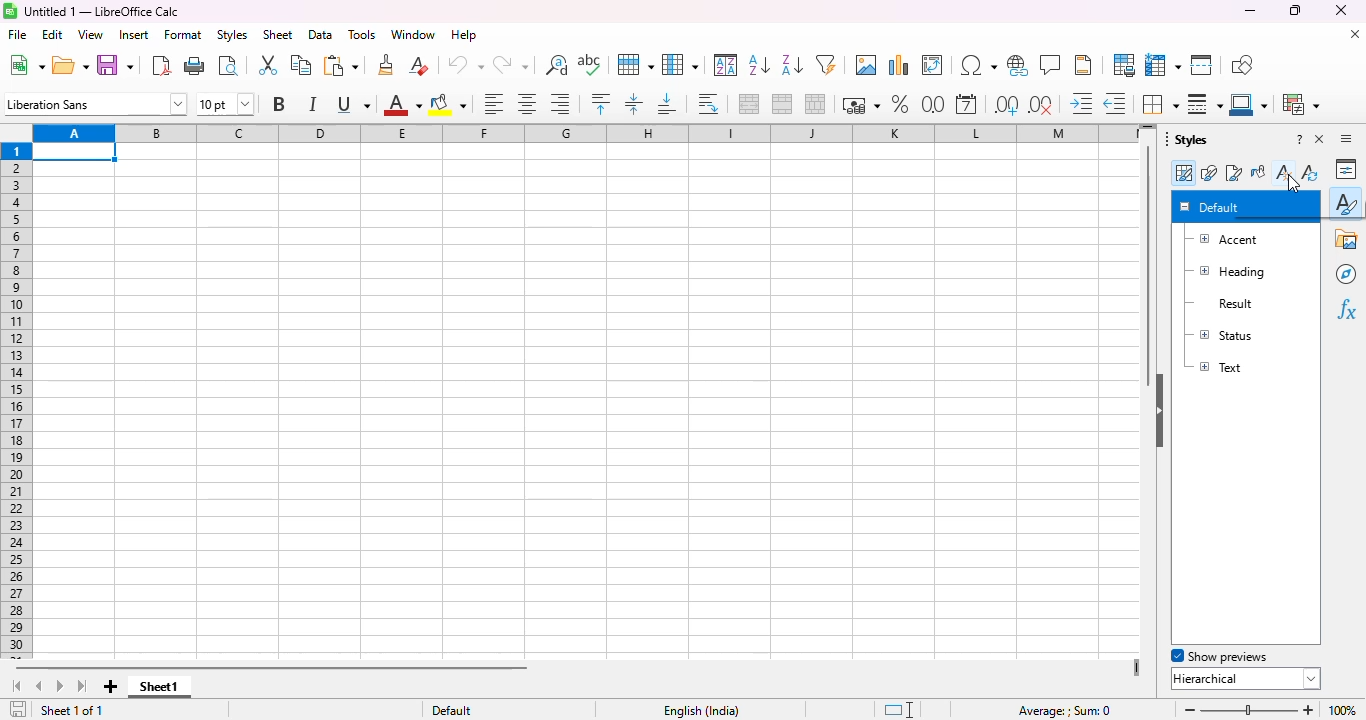 The height and width of the screenshot is (720, 1366). Describe the element at coordinates (1205, 104) in the screenshot. I see `border style` at that location.